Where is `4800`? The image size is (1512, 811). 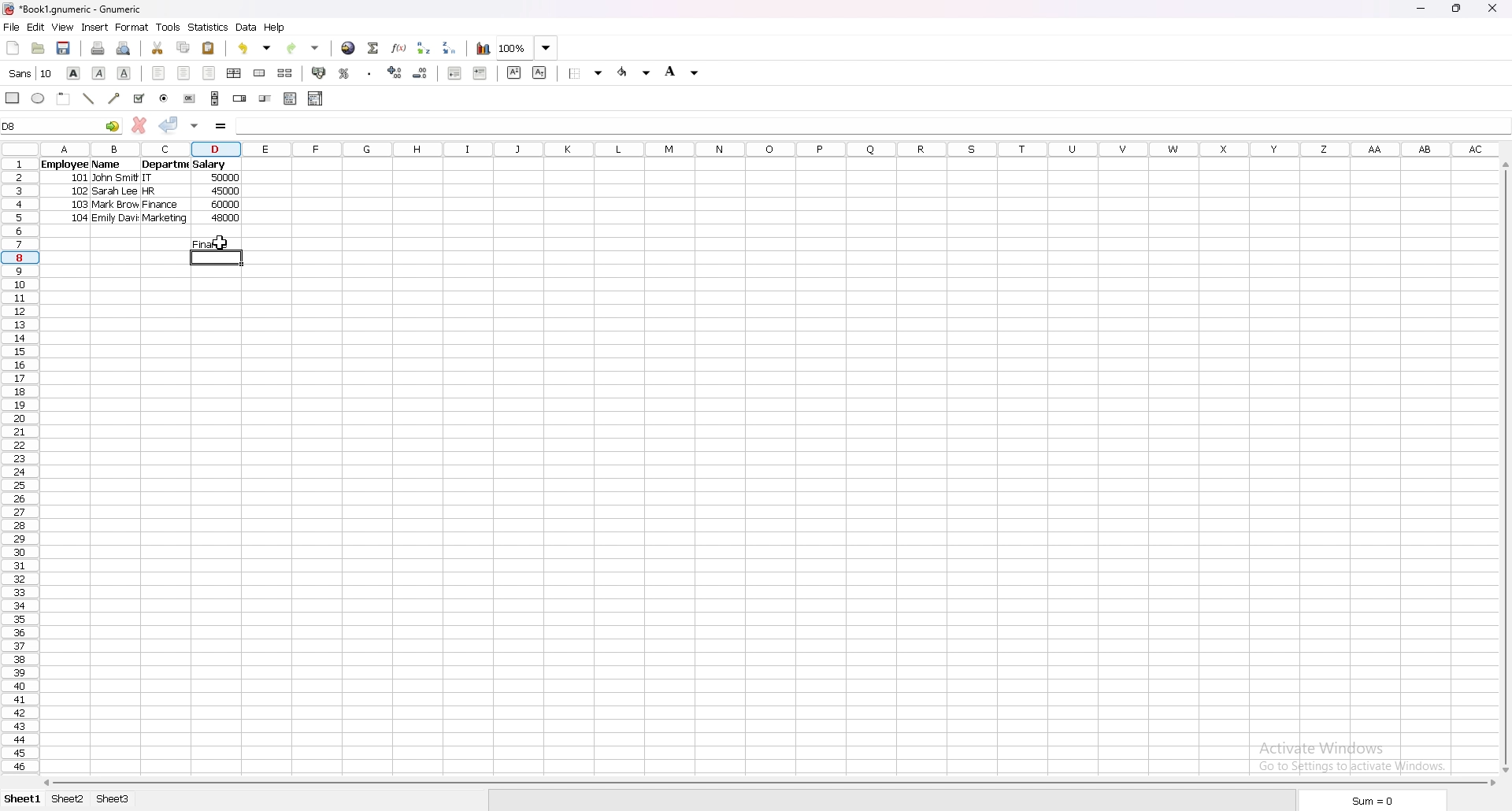
4800 is located at coordinates (228, 221).